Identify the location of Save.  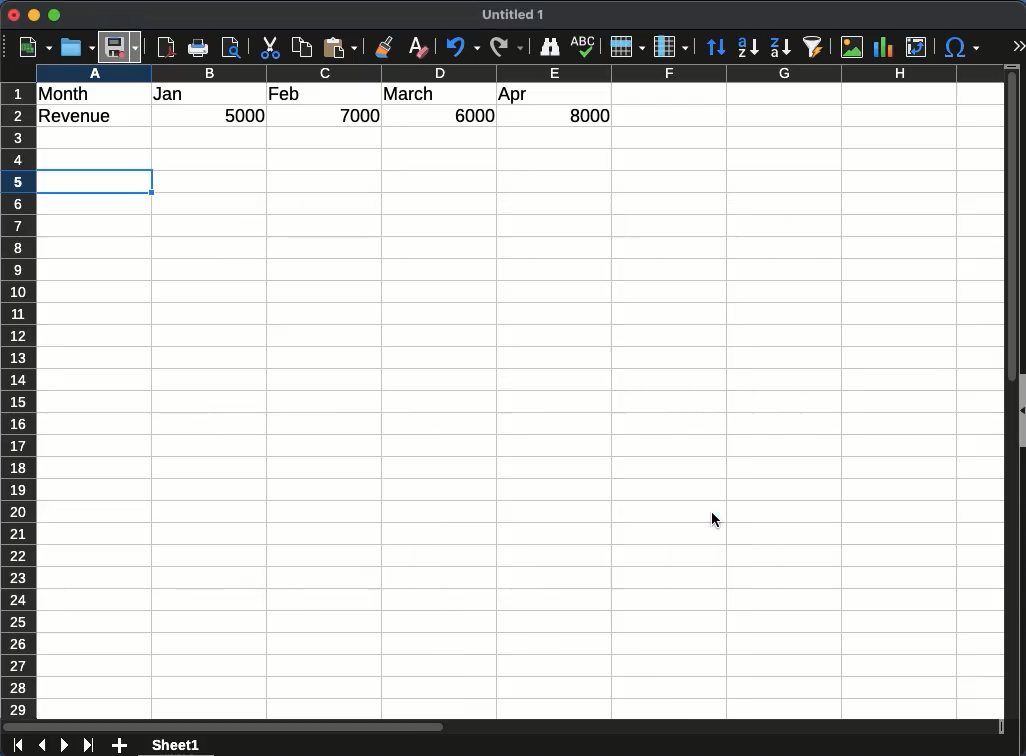
(121, 46).